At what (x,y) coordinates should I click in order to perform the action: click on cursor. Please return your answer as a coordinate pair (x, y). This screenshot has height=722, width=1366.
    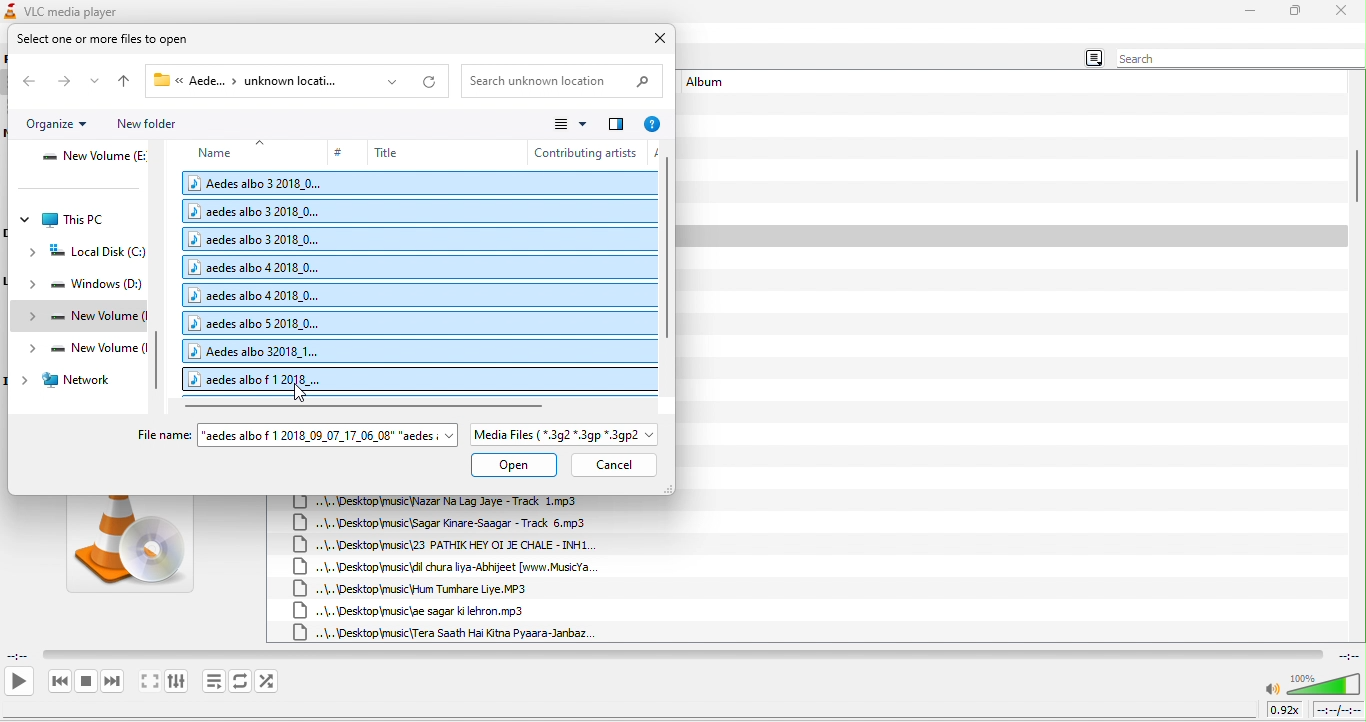
    Looking at the image, I should click on (304, 395).